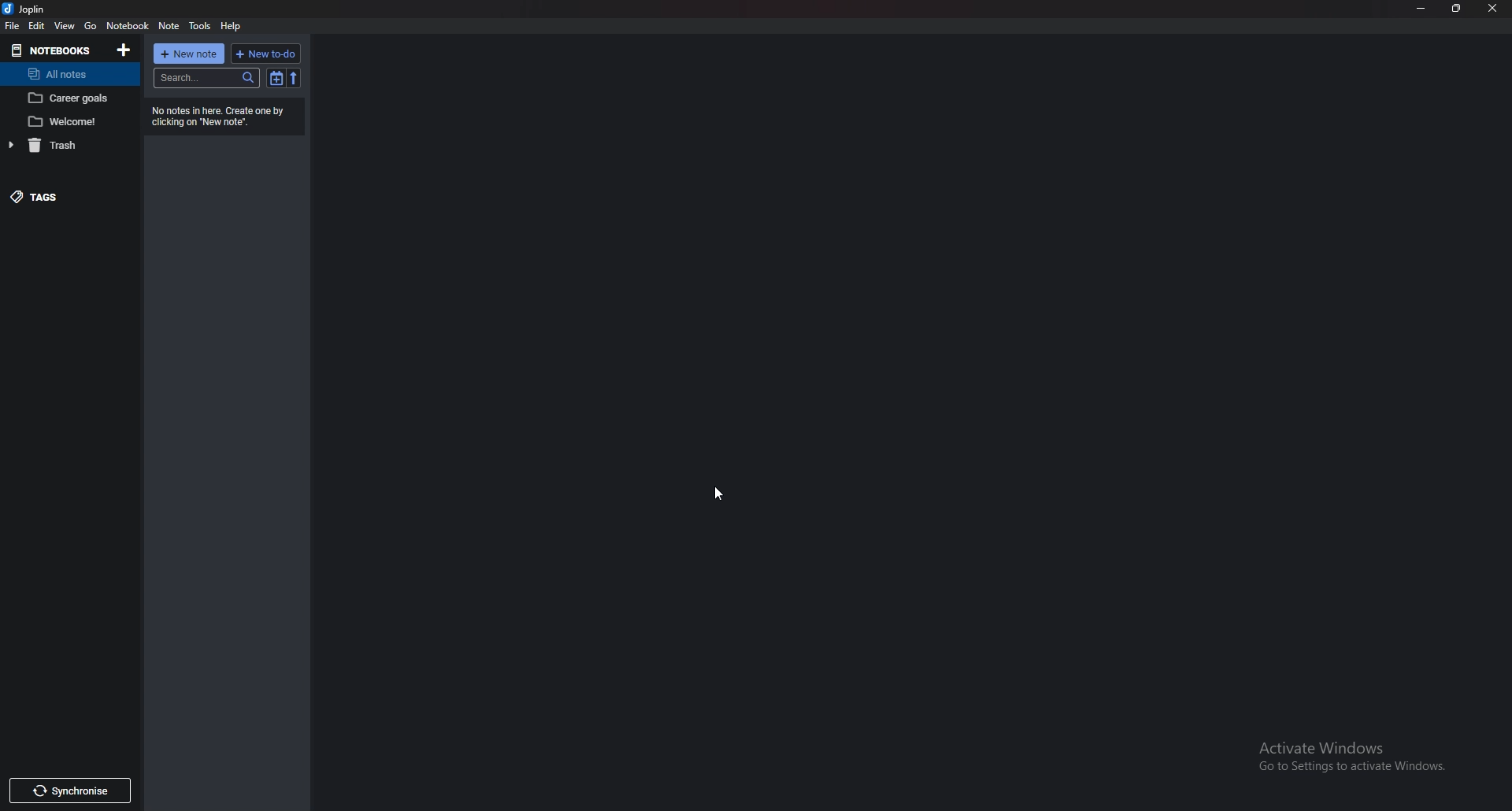 Image resolution: width=1512 pixels, height=811 pixels. What do you see at coordinates (63, 146) in the screenshot?
I see `trash` at bounding box center [63, 146].